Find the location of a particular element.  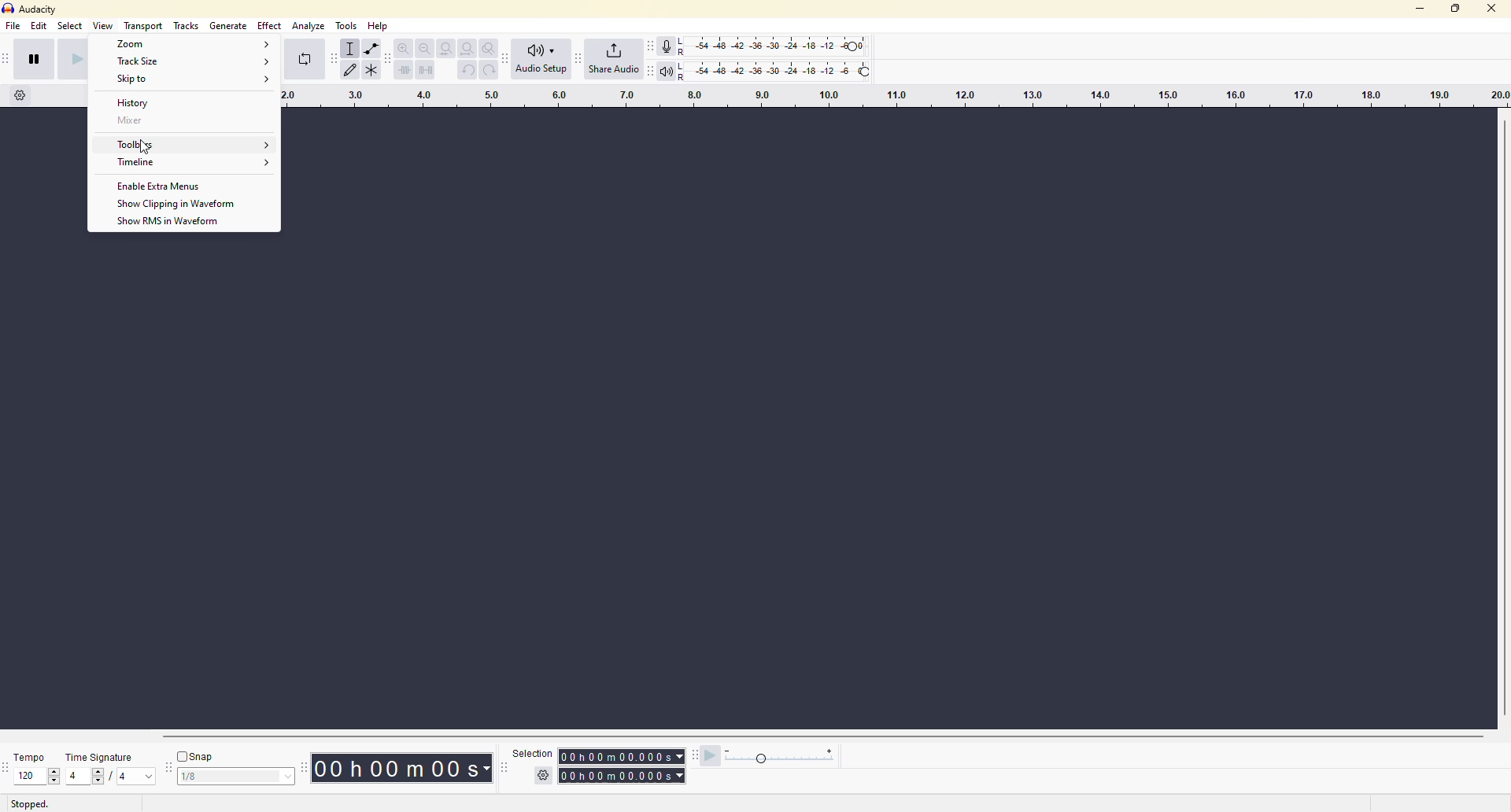

redo is located at coordinates (488, 70).